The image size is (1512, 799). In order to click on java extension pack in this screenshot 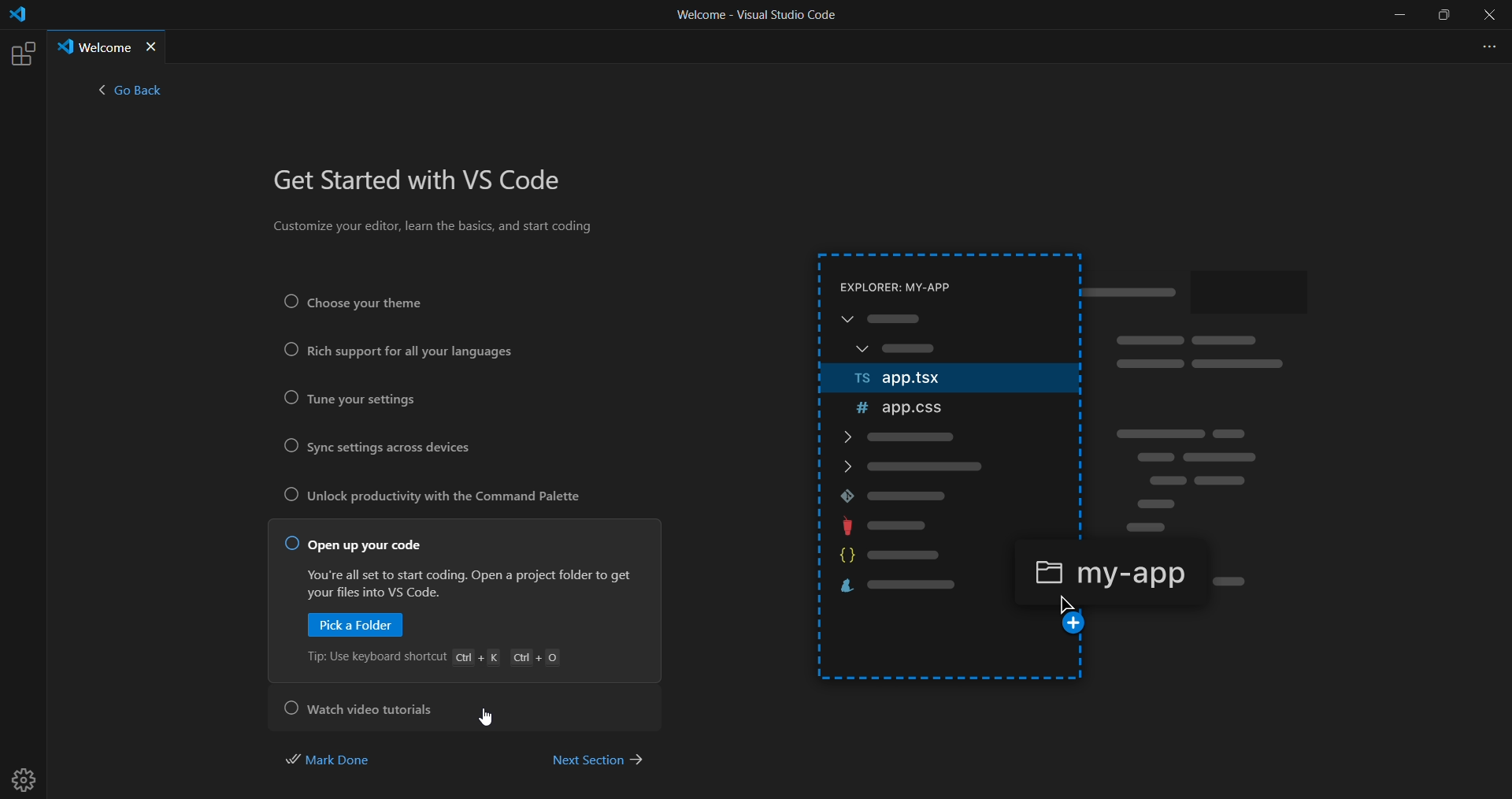, I will do `click(957, 525)`.